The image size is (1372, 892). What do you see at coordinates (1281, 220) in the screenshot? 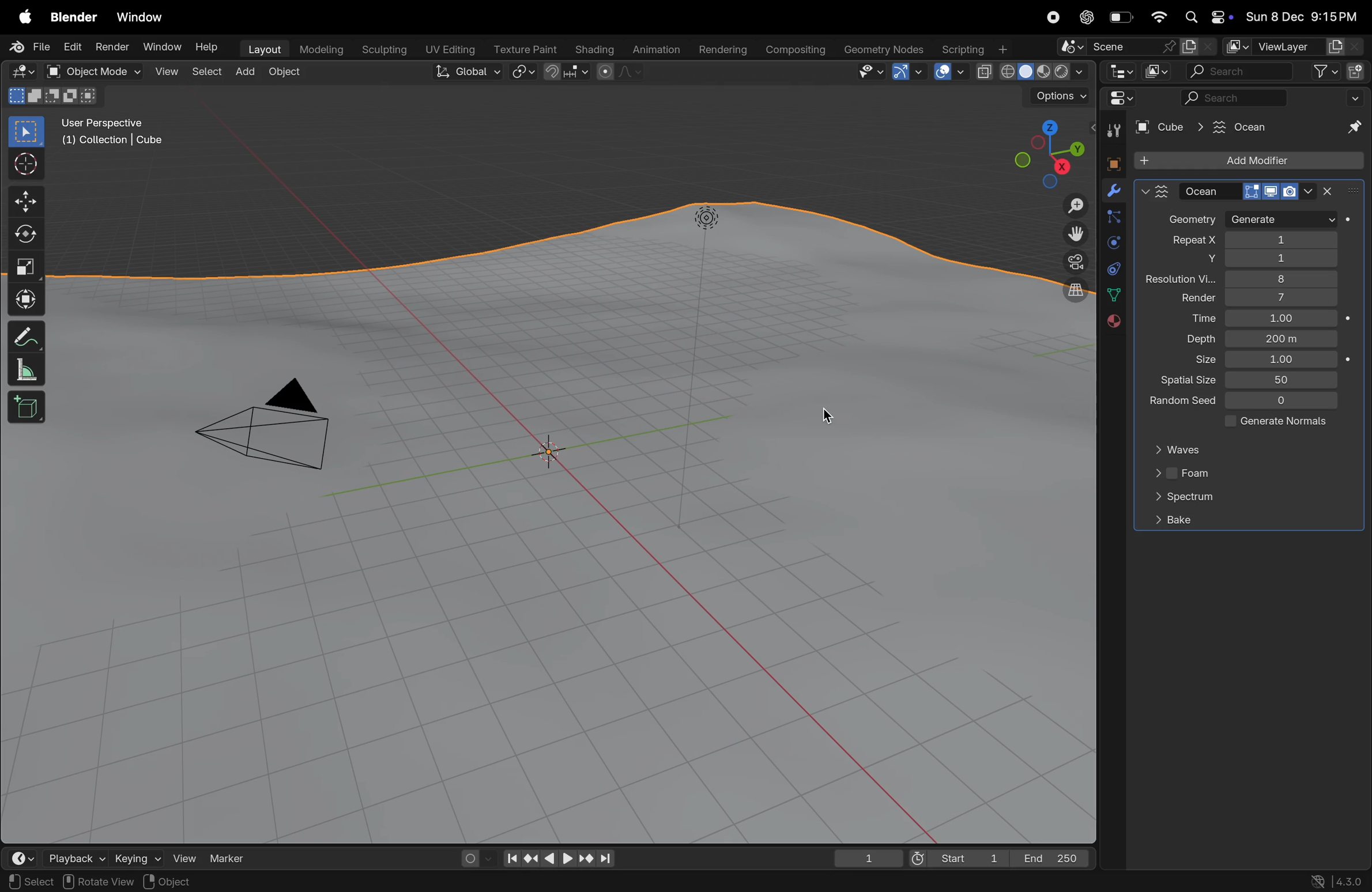
I see `generate` at bounding box center [1281, 220].